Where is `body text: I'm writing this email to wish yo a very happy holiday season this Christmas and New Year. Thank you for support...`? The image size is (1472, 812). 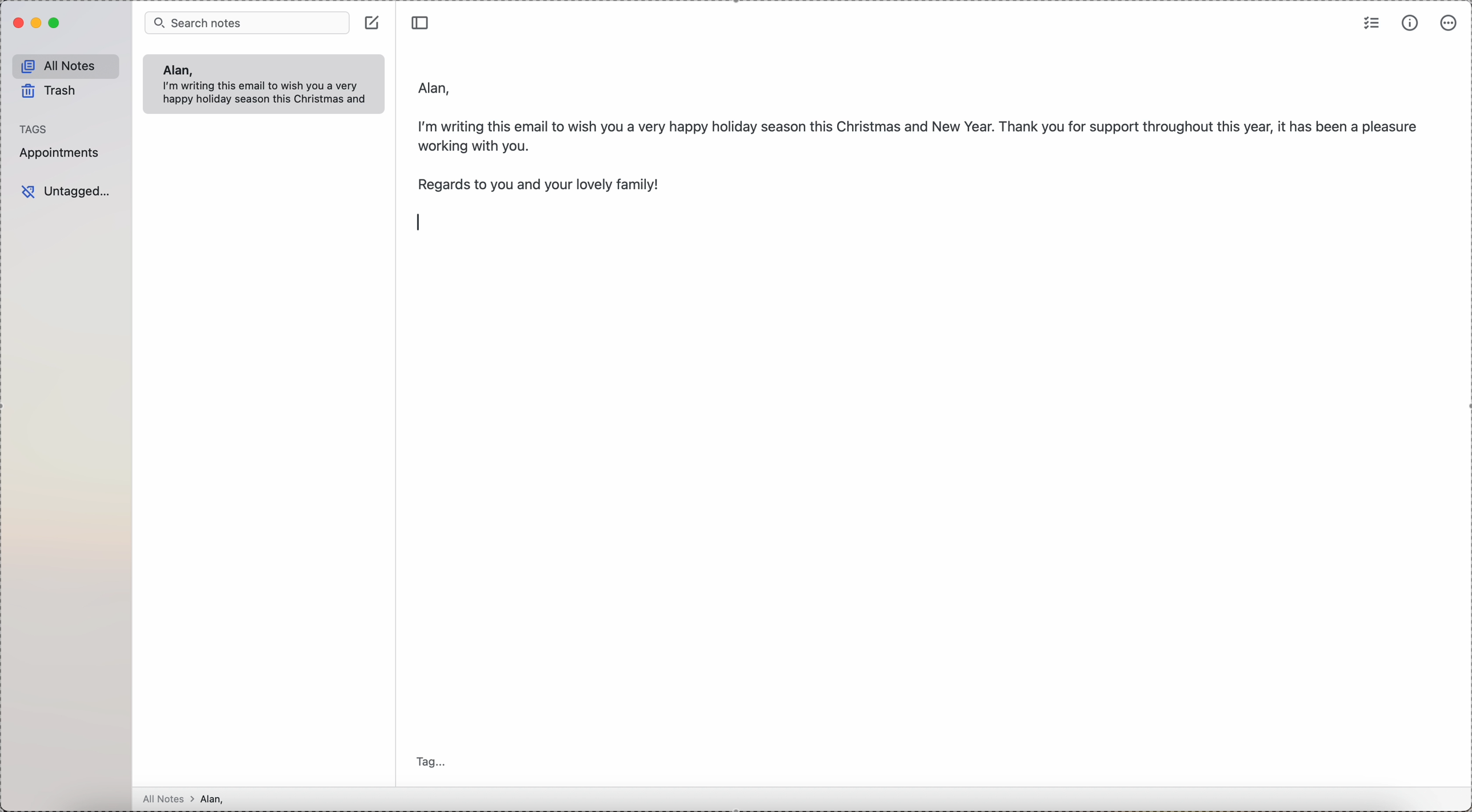
body text: I'm writing this email to wish yo a very happy holiday season this Christmas and New Year. Thank you for support... is located at coordinates (920, 133).